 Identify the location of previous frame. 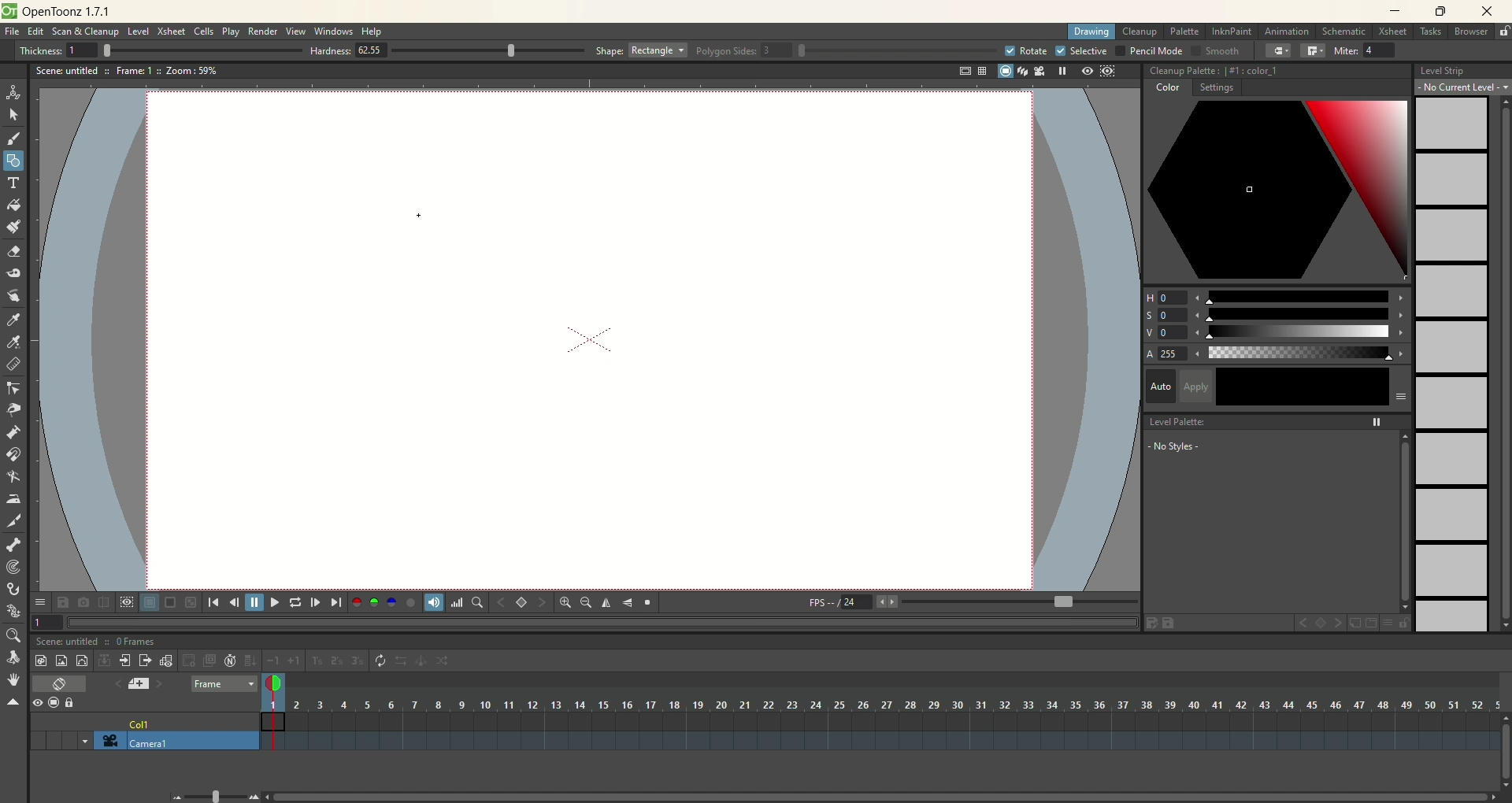
(232, 602).